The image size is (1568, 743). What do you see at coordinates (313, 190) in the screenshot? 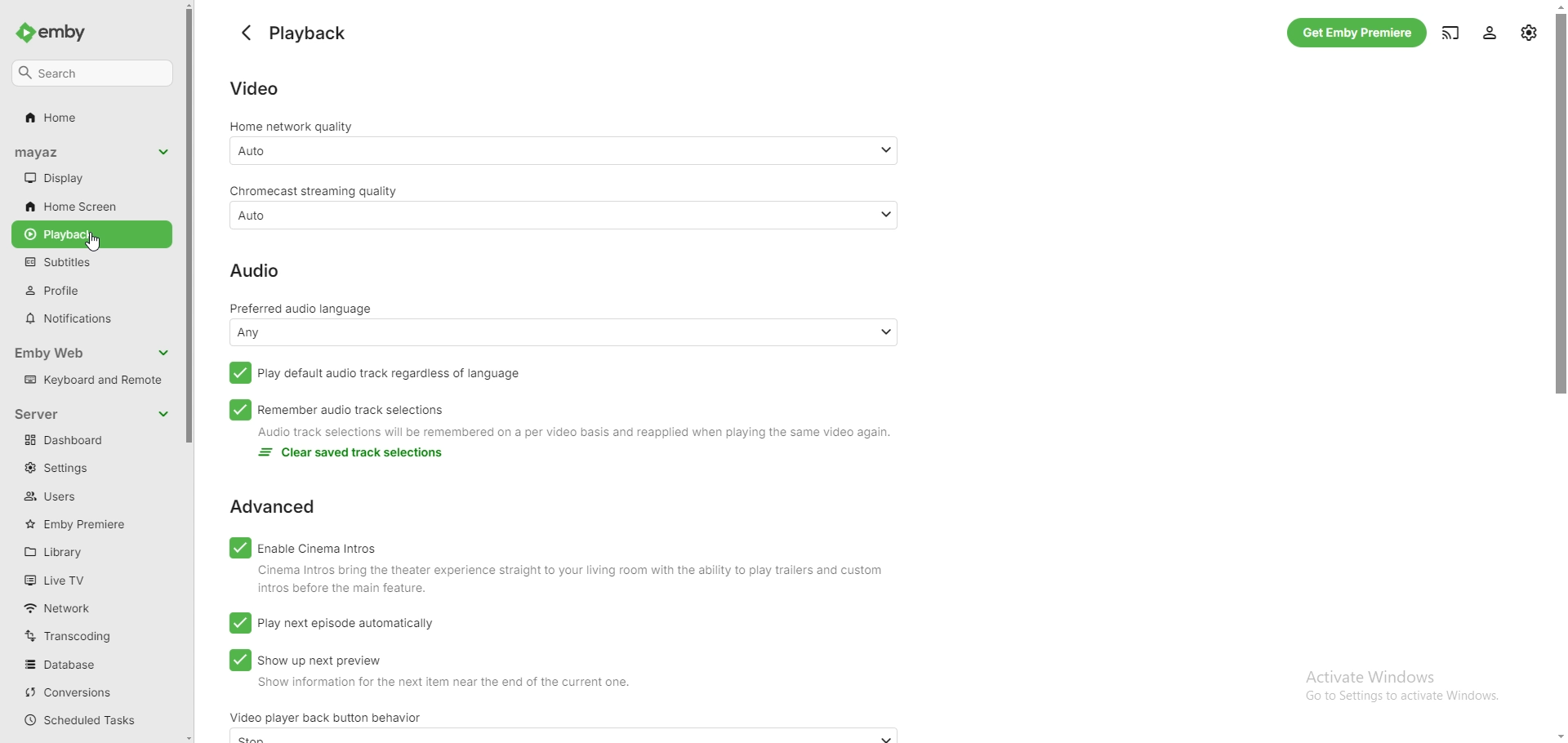
I see `chromecast streaming quality` at bounding box center [313, 190].